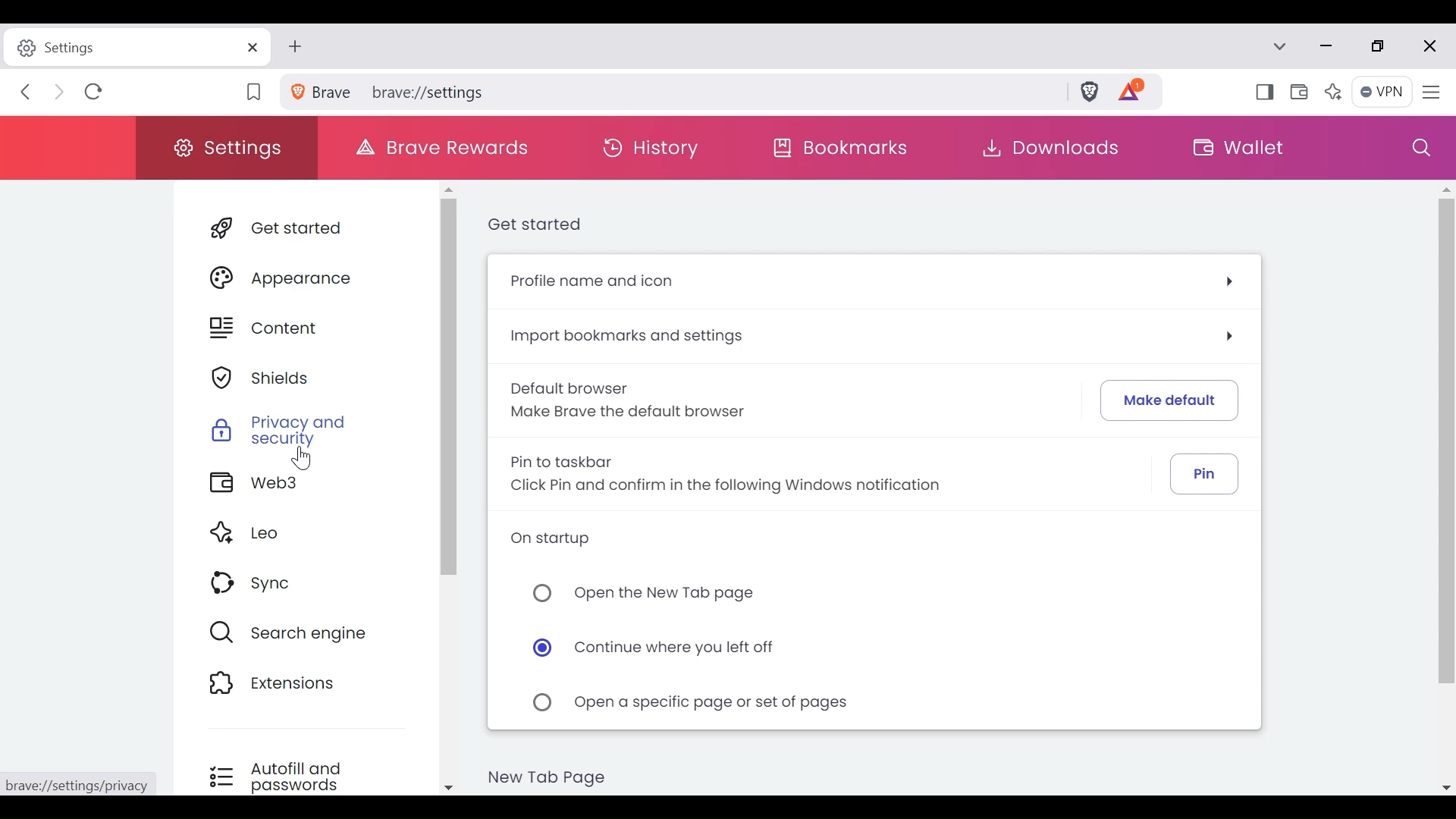  I want to click on Shield, so click(303, 379).